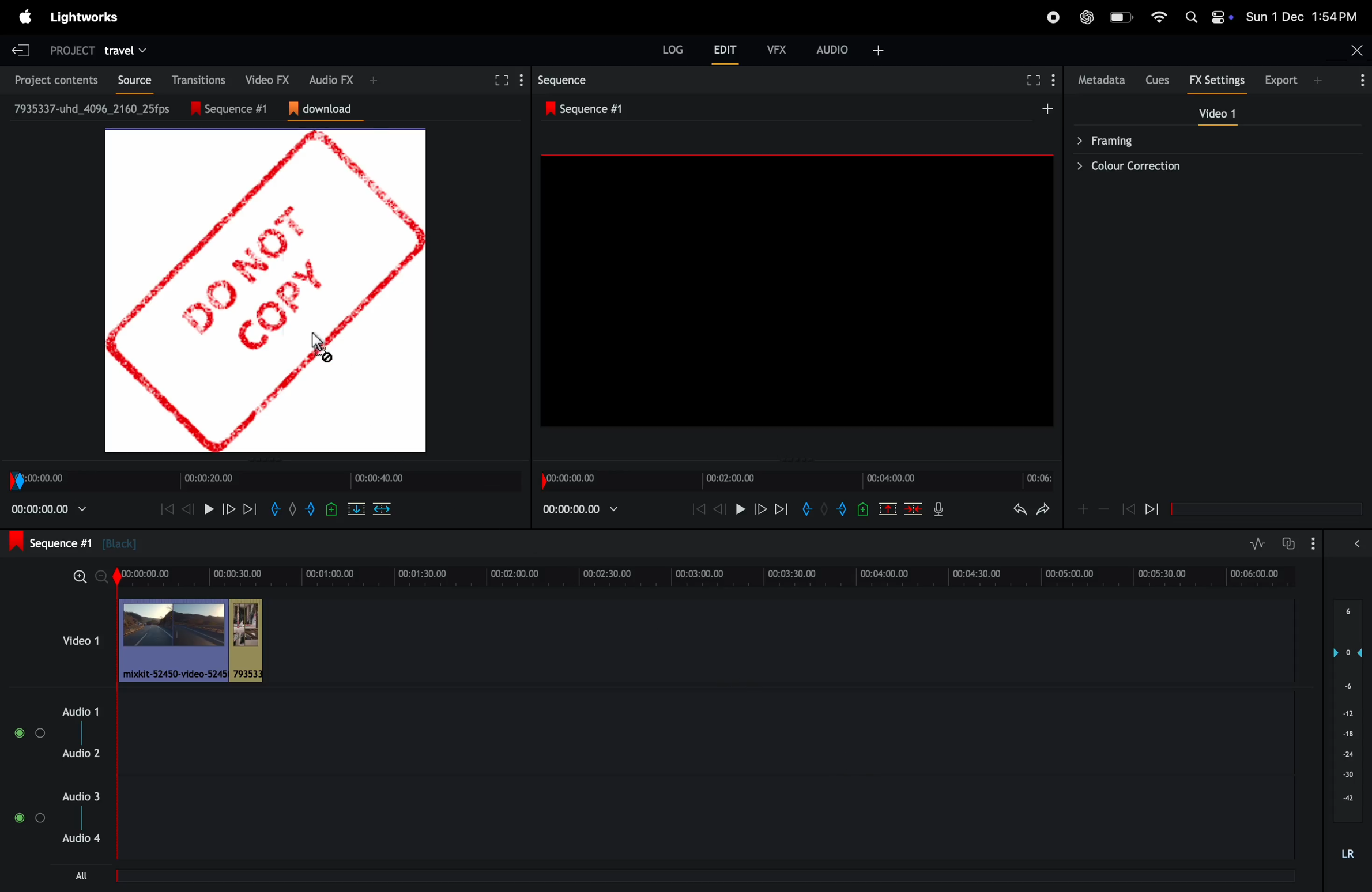 The image size is (1372, 892). What do you see at coordinates (1209, 166) in the screenshot?
I see `colour correction` at bounding box center [1209, 166].